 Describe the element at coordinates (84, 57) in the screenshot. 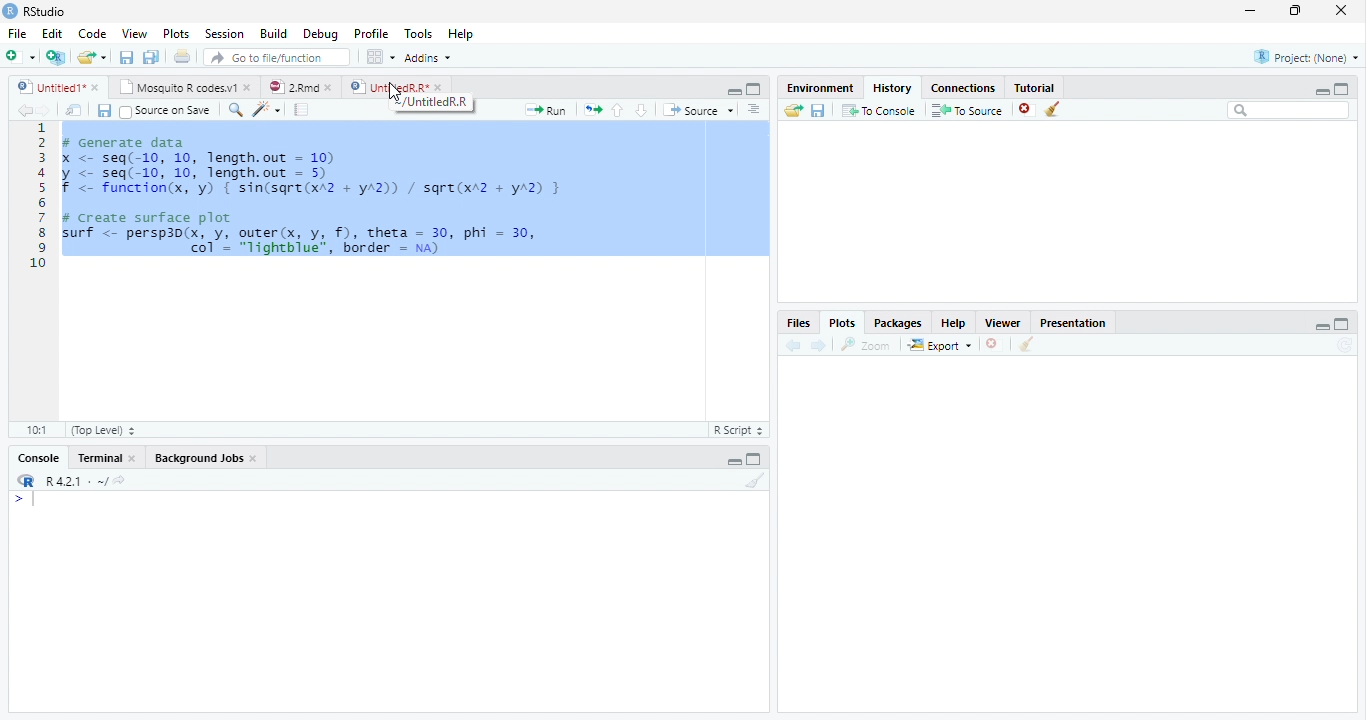

I see `Open an existing file` at that location.